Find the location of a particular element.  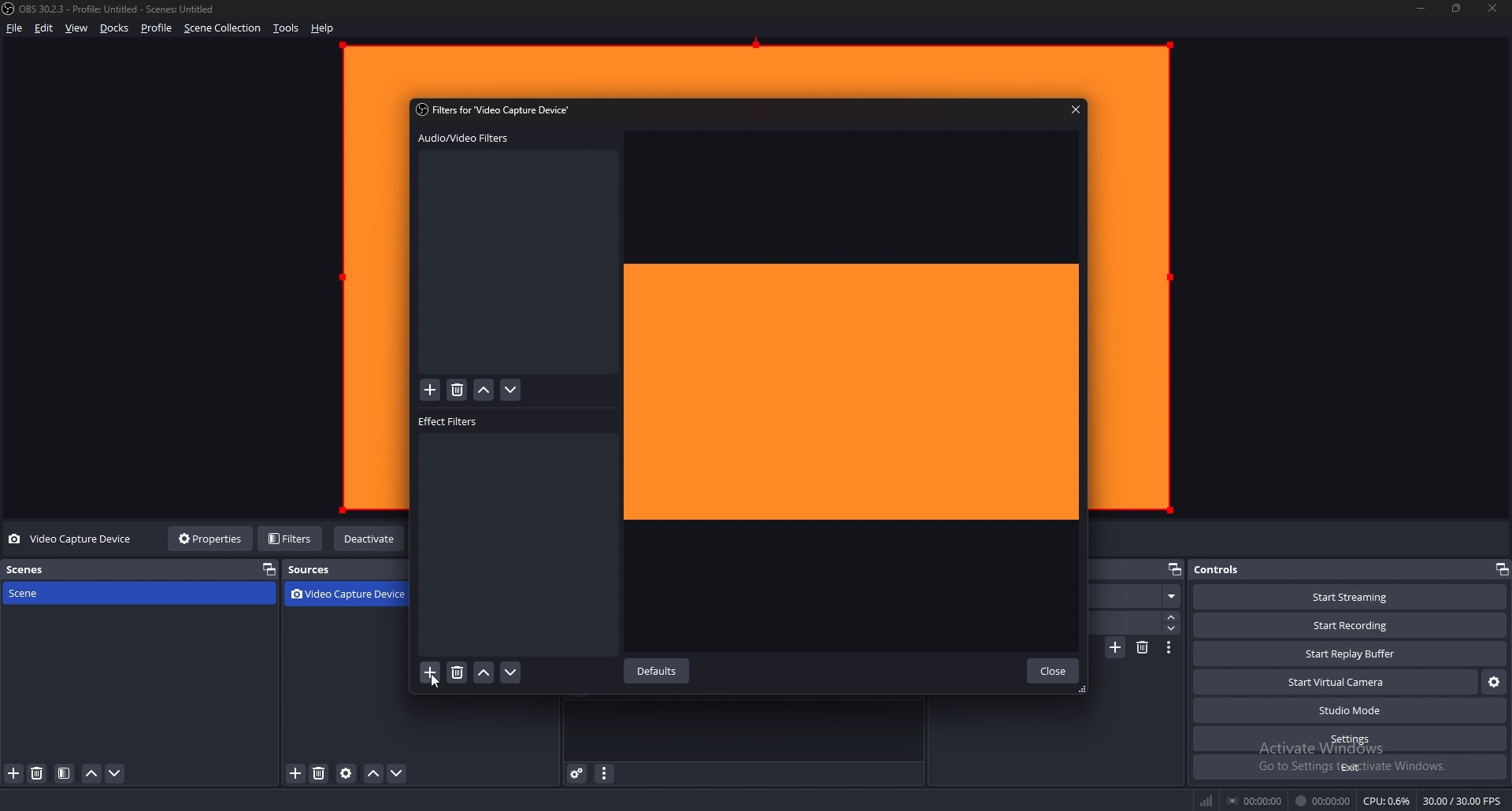

docks is located at coordinates (115, 28).